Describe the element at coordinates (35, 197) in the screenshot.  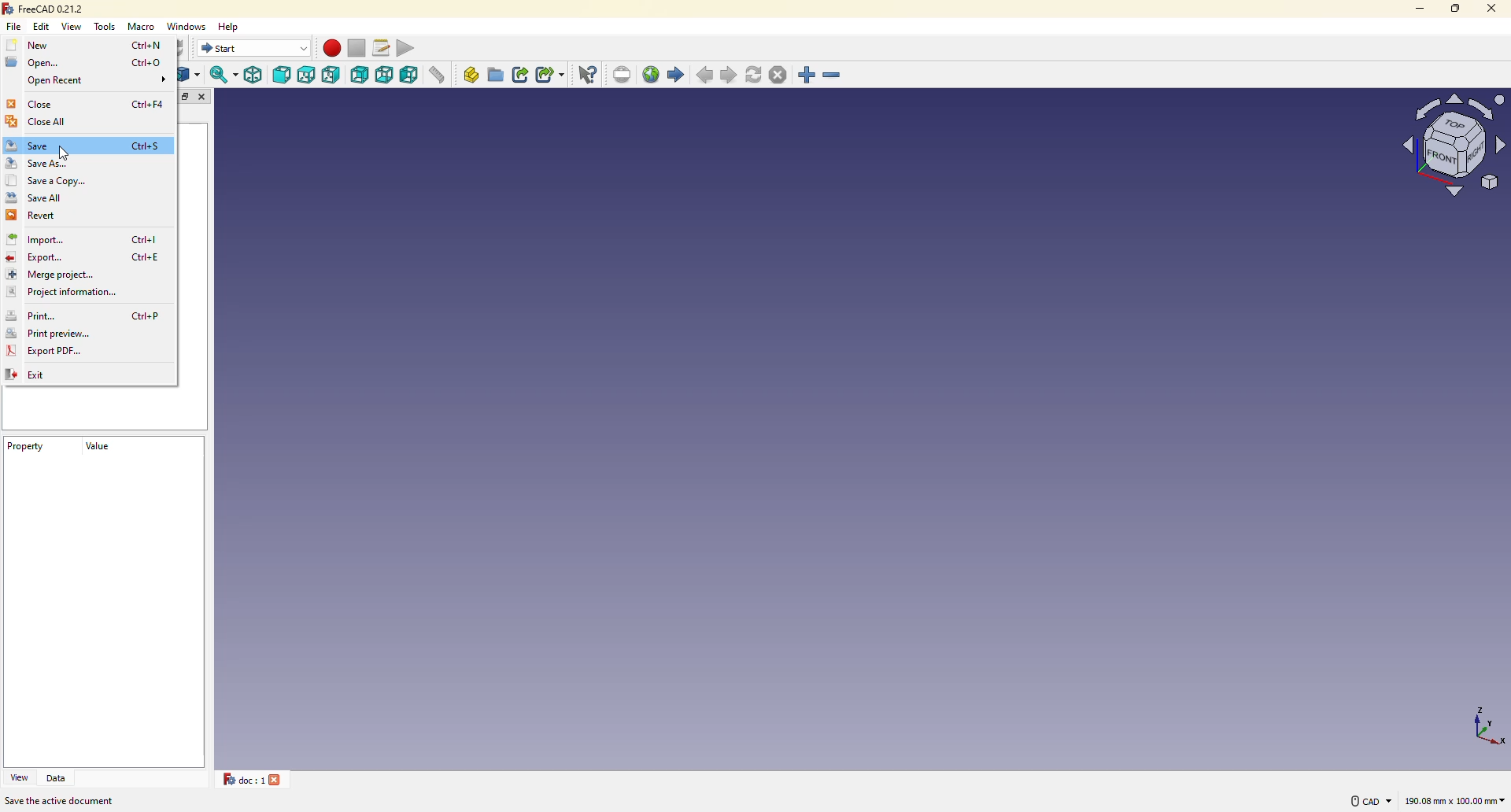
I see `save all` at that location.